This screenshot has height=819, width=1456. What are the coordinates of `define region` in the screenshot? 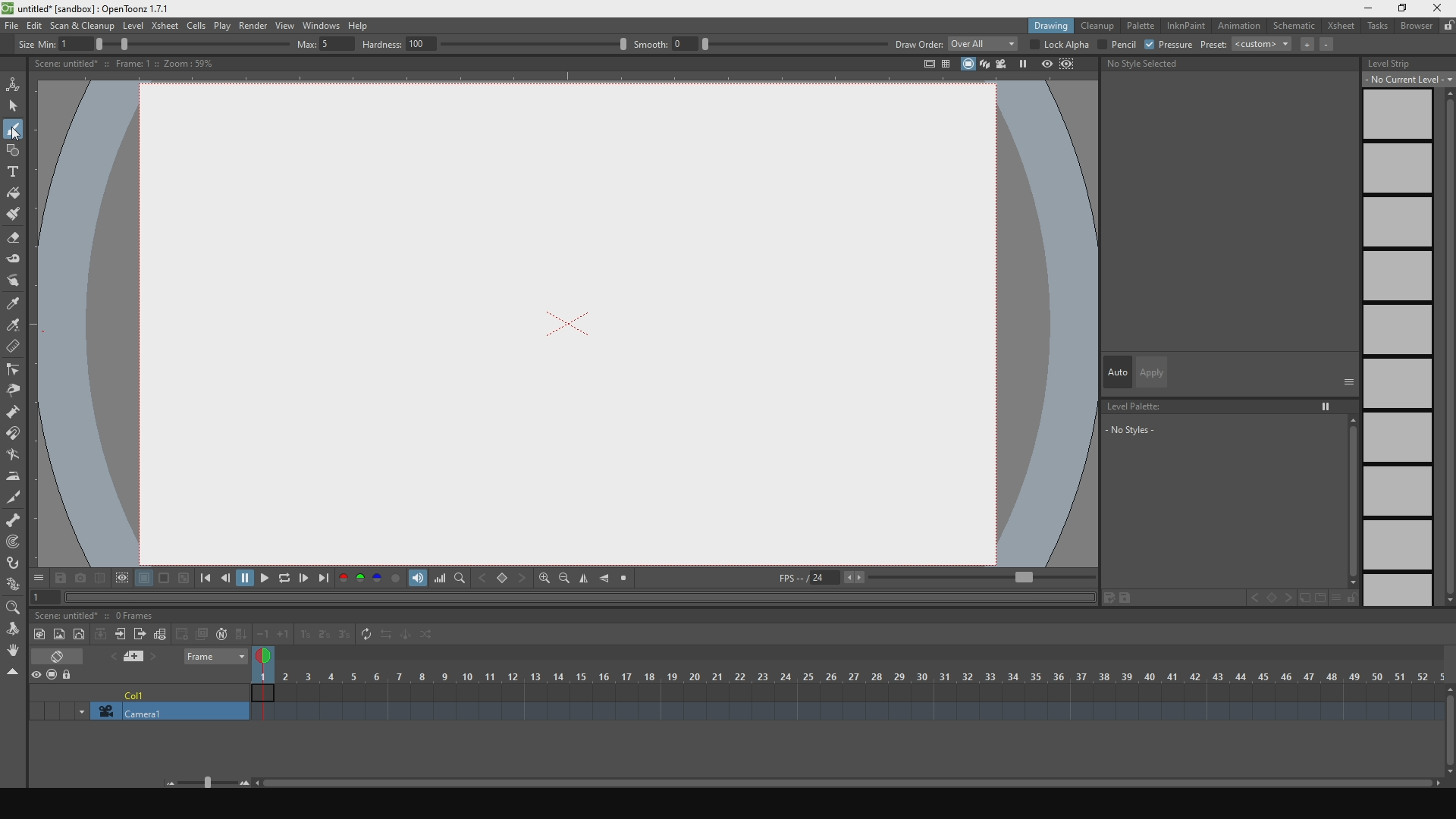 It's located at (1077, 65).